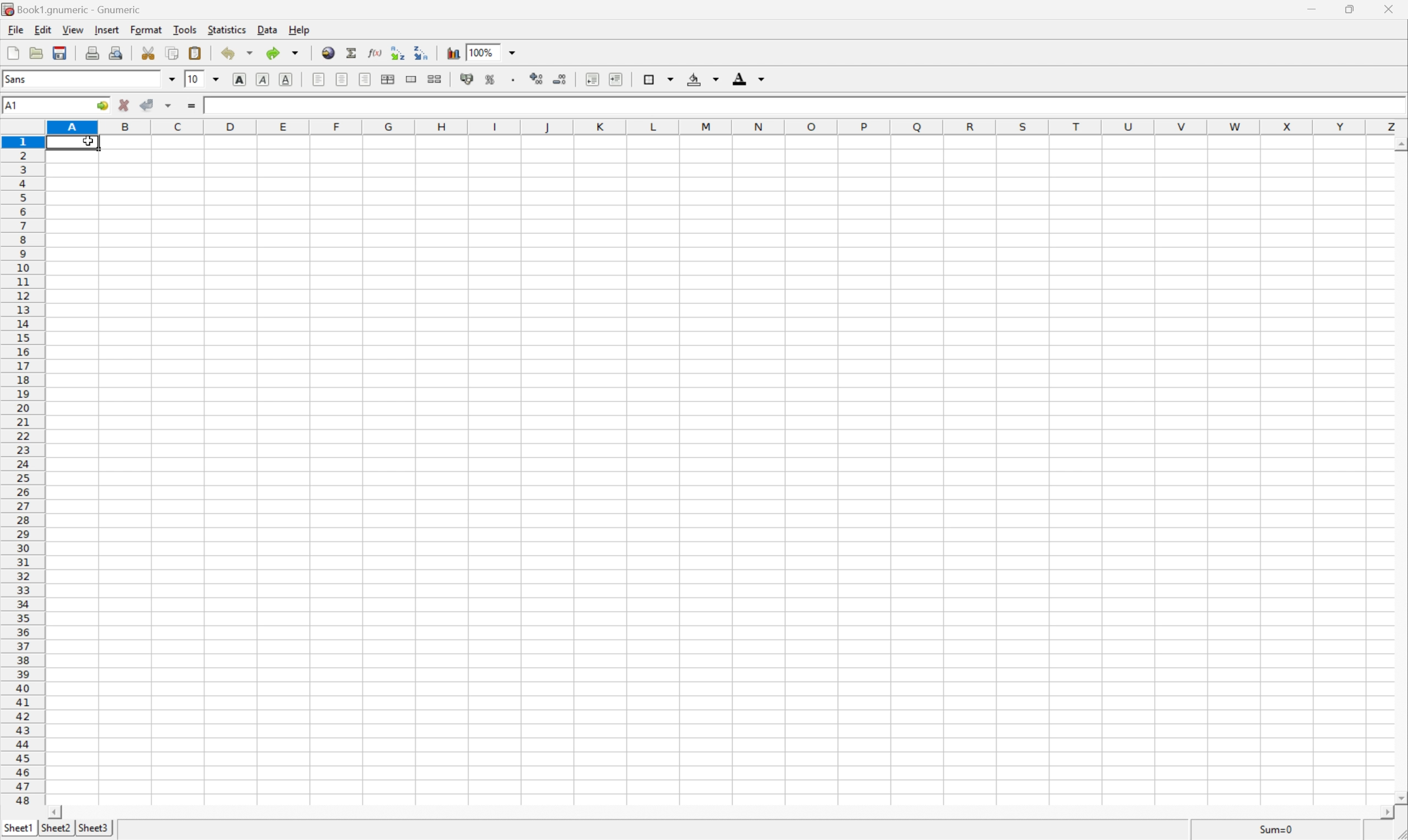  Describe the element at coordinates (15, 29) in the screenshot. I see `file` at that location.